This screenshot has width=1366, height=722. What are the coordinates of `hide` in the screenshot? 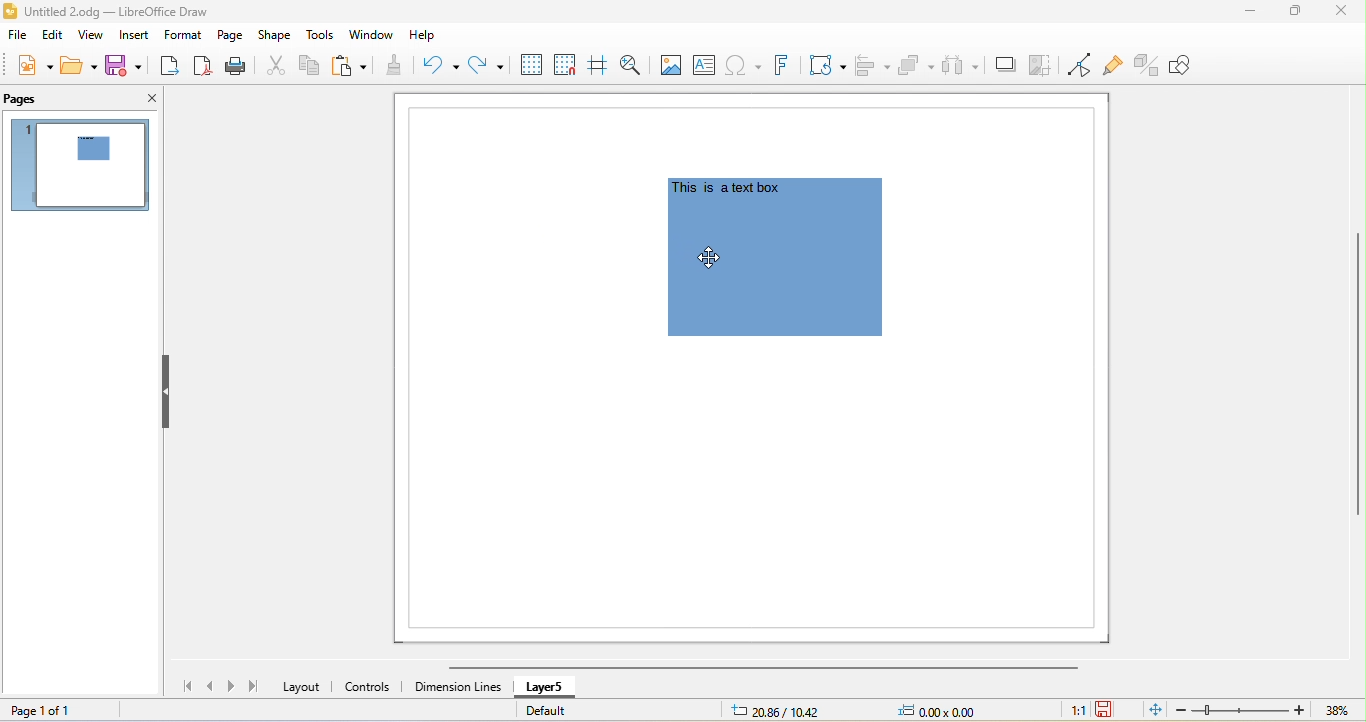 It's located at (166, 390).